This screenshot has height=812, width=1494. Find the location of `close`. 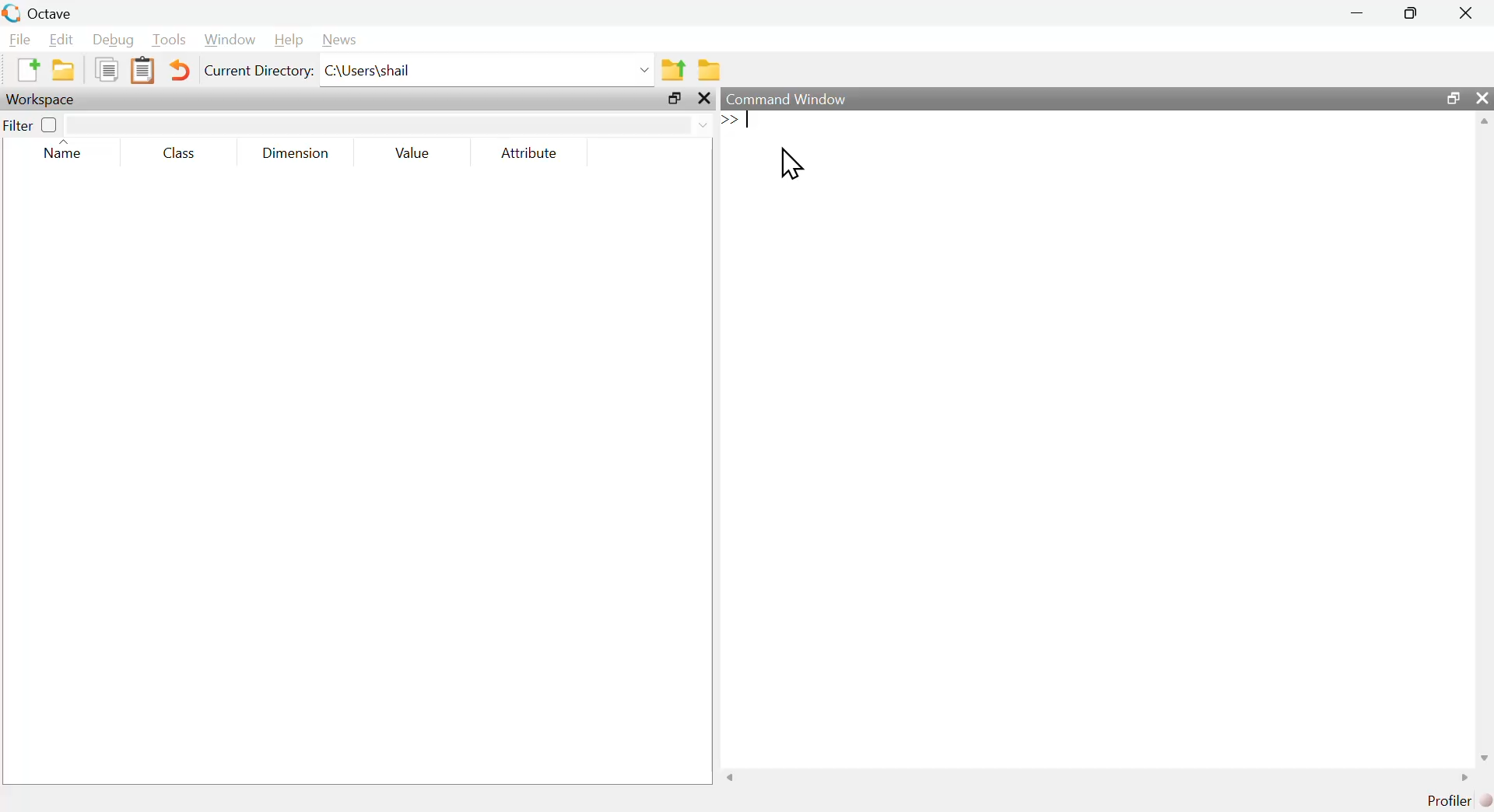

close is located at coordinates (1485, 97).